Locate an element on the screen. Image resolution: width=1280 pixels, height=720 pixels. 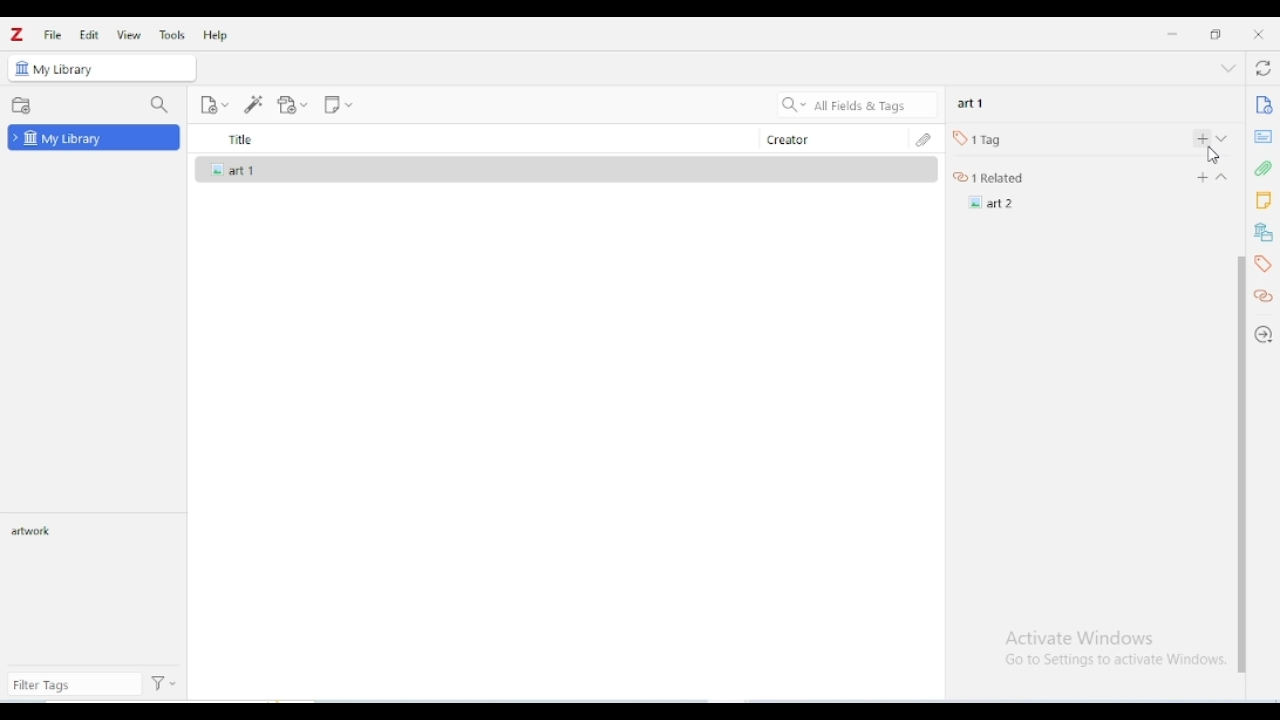
my library is located at coordinates (101, 67).